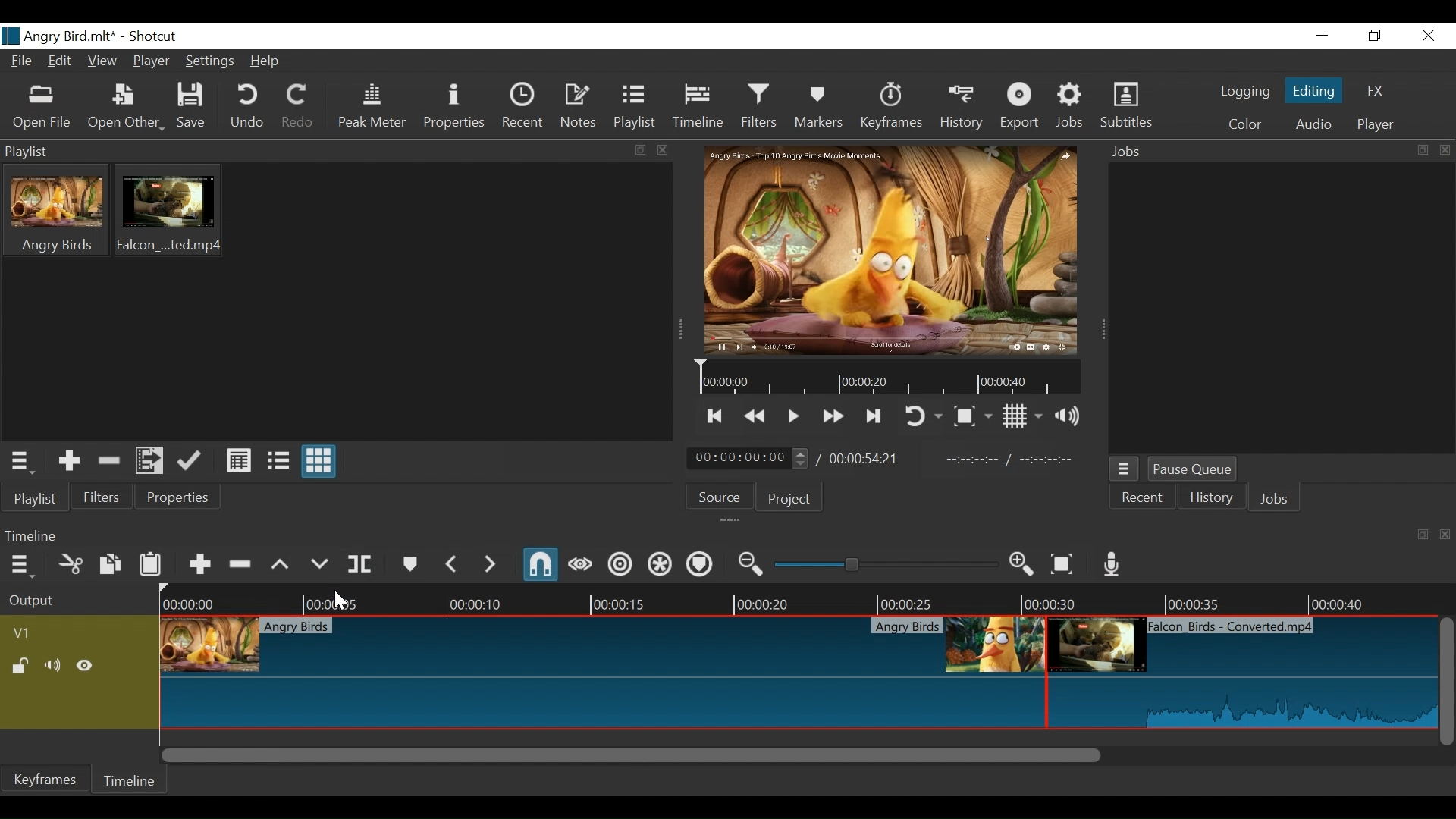 The width and height of the screenshot is (1456, 819). What do you see at coordinates (717, 416) in the screenshot?
I see `Skip to the previous point` at bounding box center [717, 416].